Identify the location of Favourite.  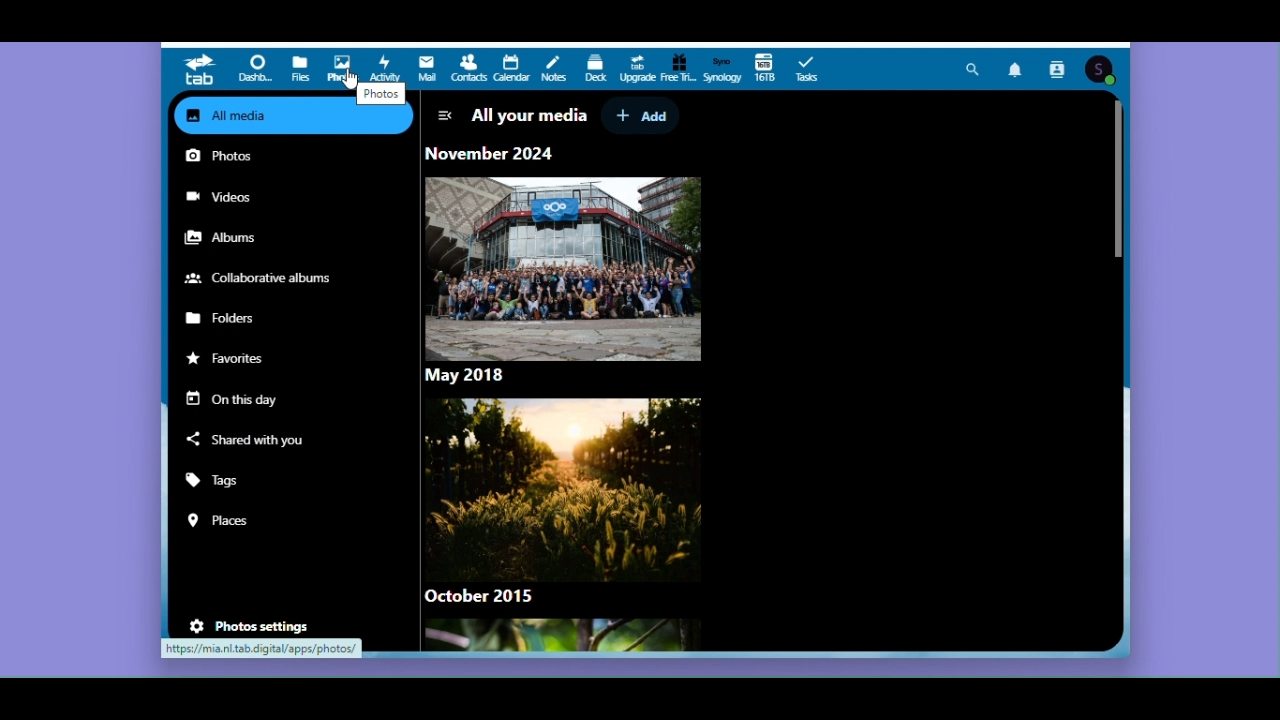
(228, 358).